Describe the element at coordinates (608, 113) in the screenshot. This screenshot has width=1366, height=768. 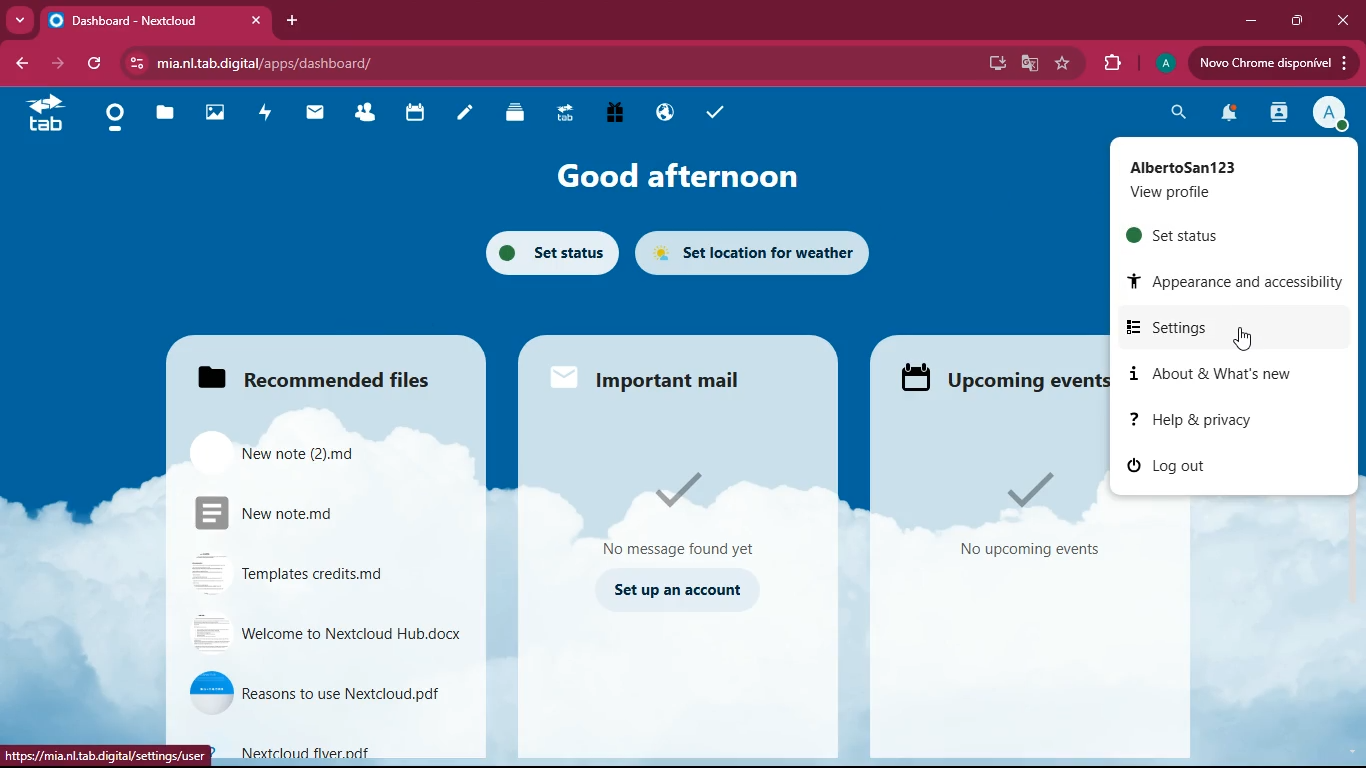
I see `gift` at that location.